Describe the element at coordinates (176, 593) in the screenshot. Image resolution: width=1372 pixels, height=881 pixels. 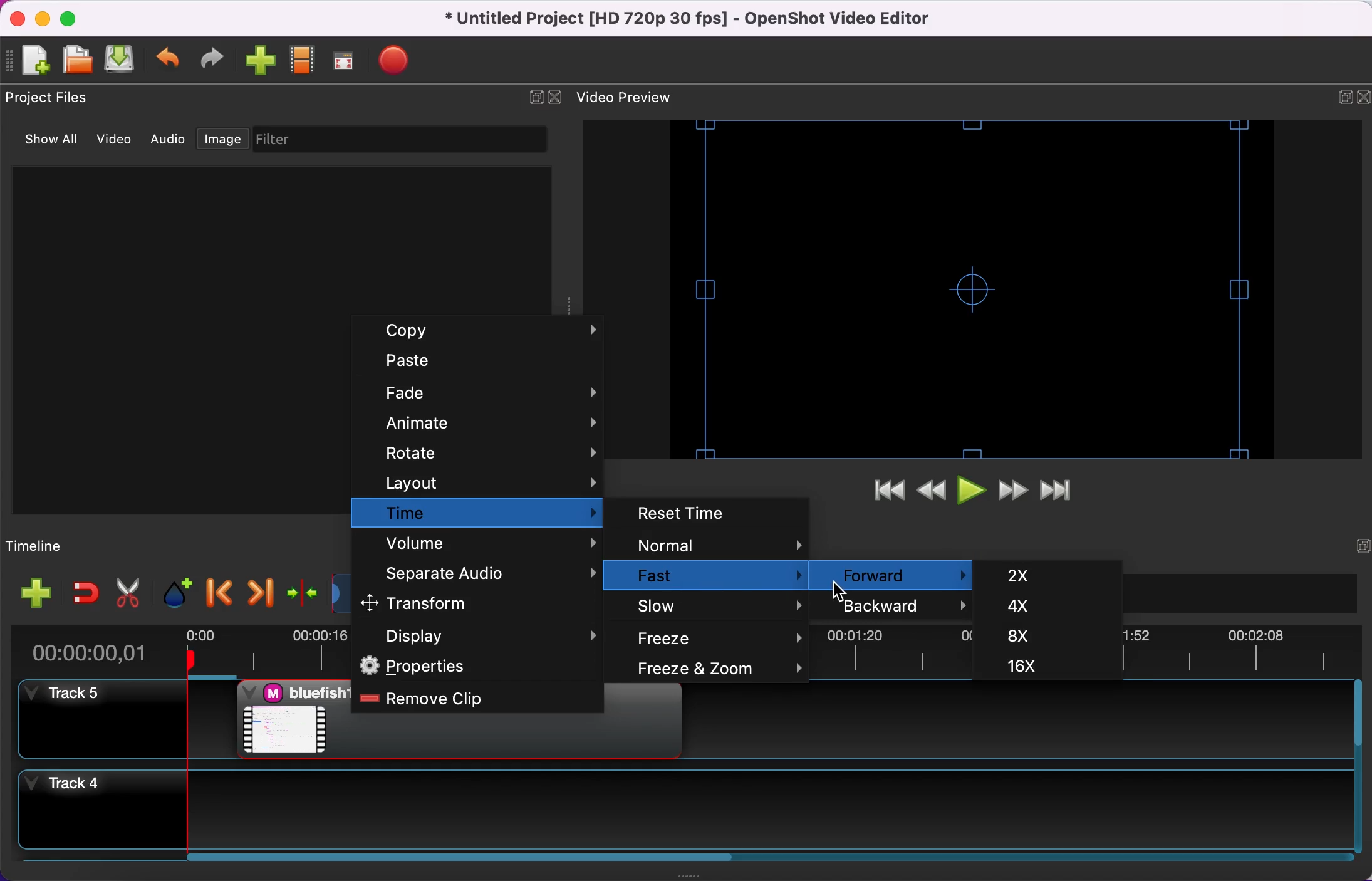
I see `add marker` at that location.